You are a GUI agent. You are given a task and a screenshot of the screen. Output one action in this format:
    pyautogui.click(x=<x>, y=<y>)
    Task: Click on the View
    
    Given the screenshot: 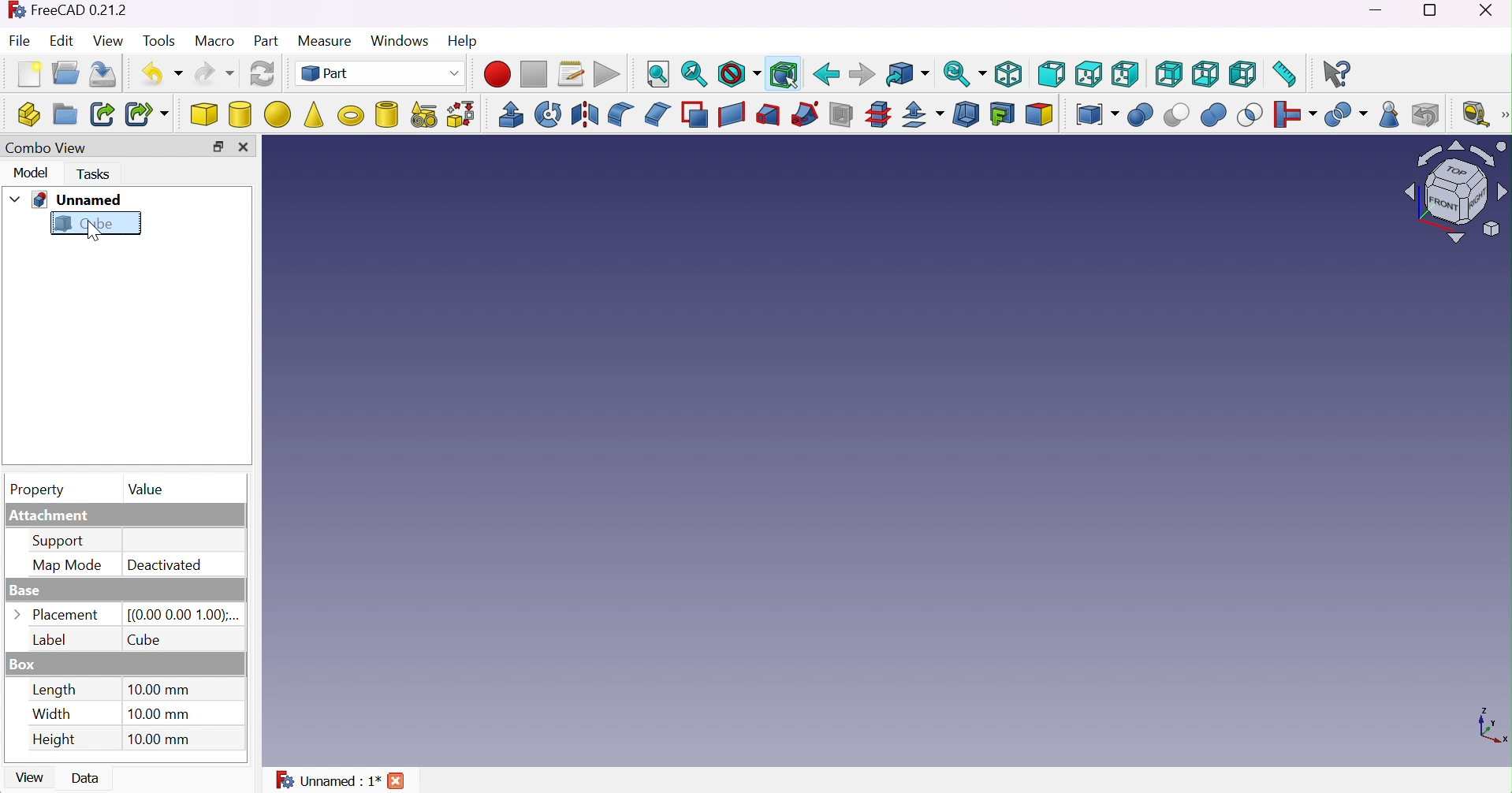 What is the action you would take?
    pyautogui.click(x=108, y=39)
    